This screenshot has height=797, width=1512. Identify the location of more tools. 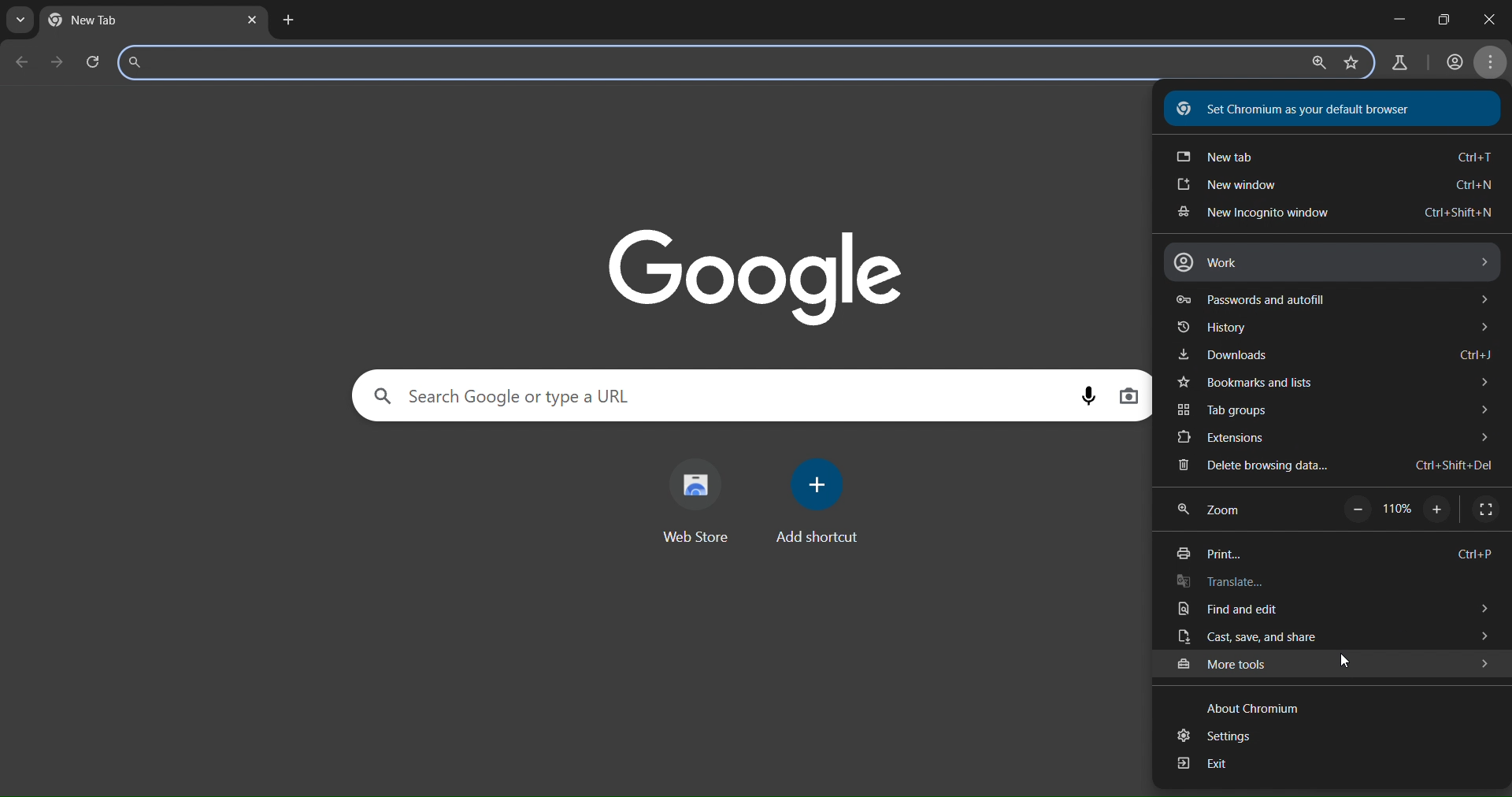
(1334, 665).